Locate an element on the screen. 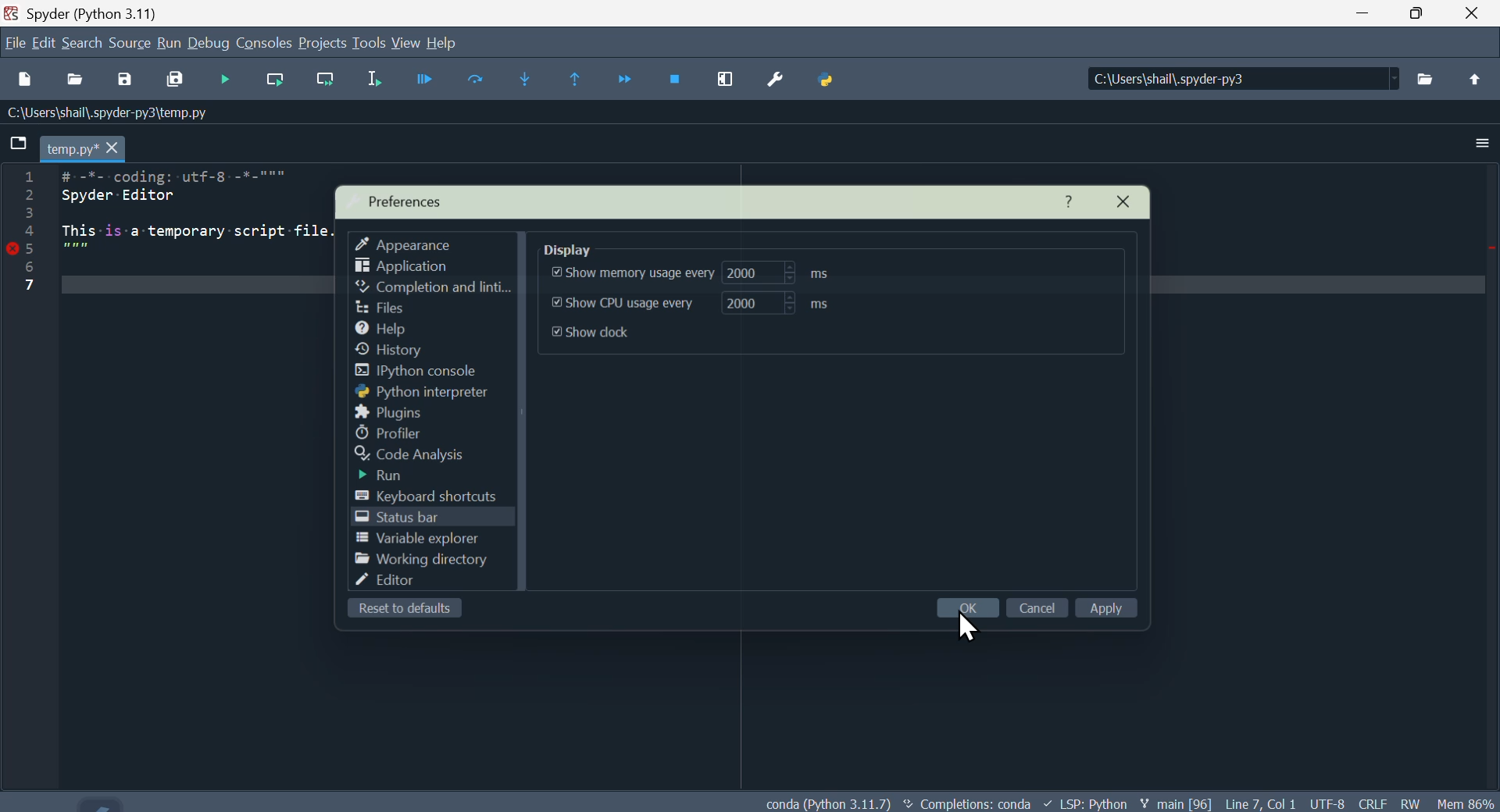 The height and width of the screenshot is (812, 1500). 1 # -%--coding: utf-8 -*-"""
> Spyder Editor

3

+ This is-a temporary -script-file.
ST

5

7 is located at coordinates (198, 228).